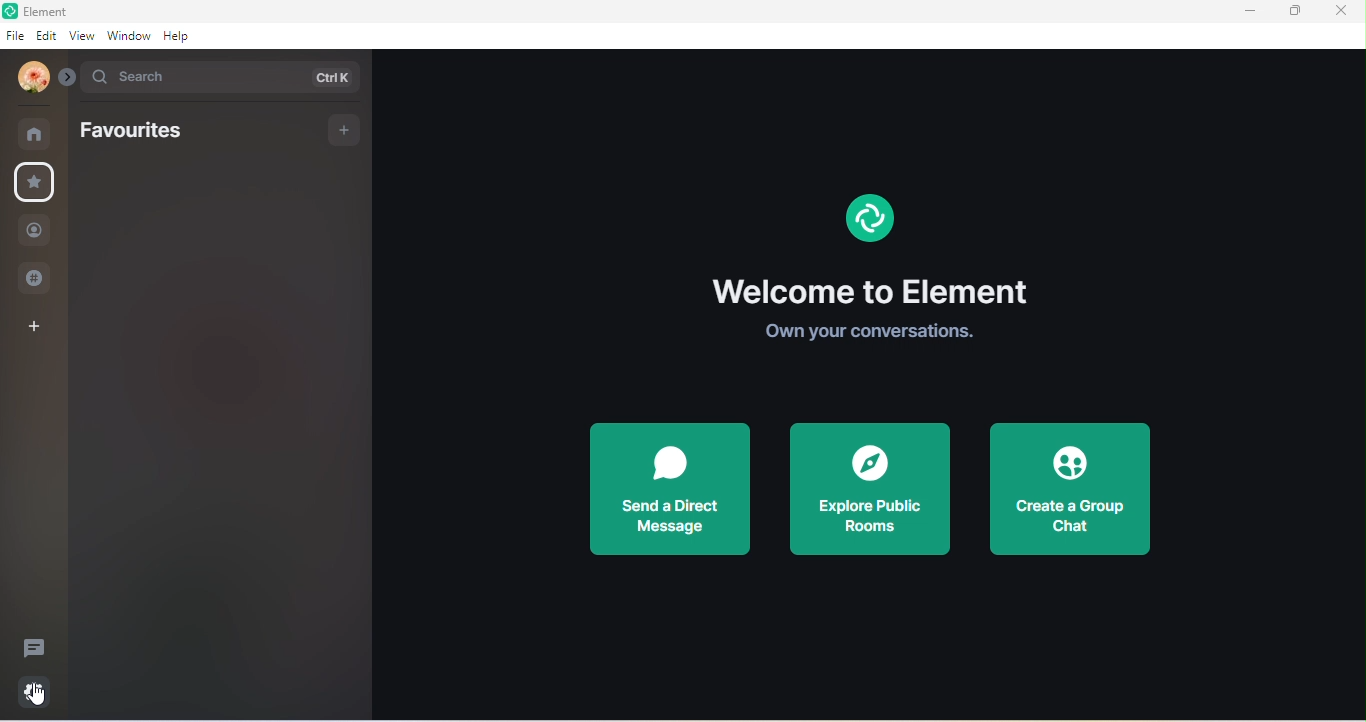  I want to click on people, so click(35, 230).